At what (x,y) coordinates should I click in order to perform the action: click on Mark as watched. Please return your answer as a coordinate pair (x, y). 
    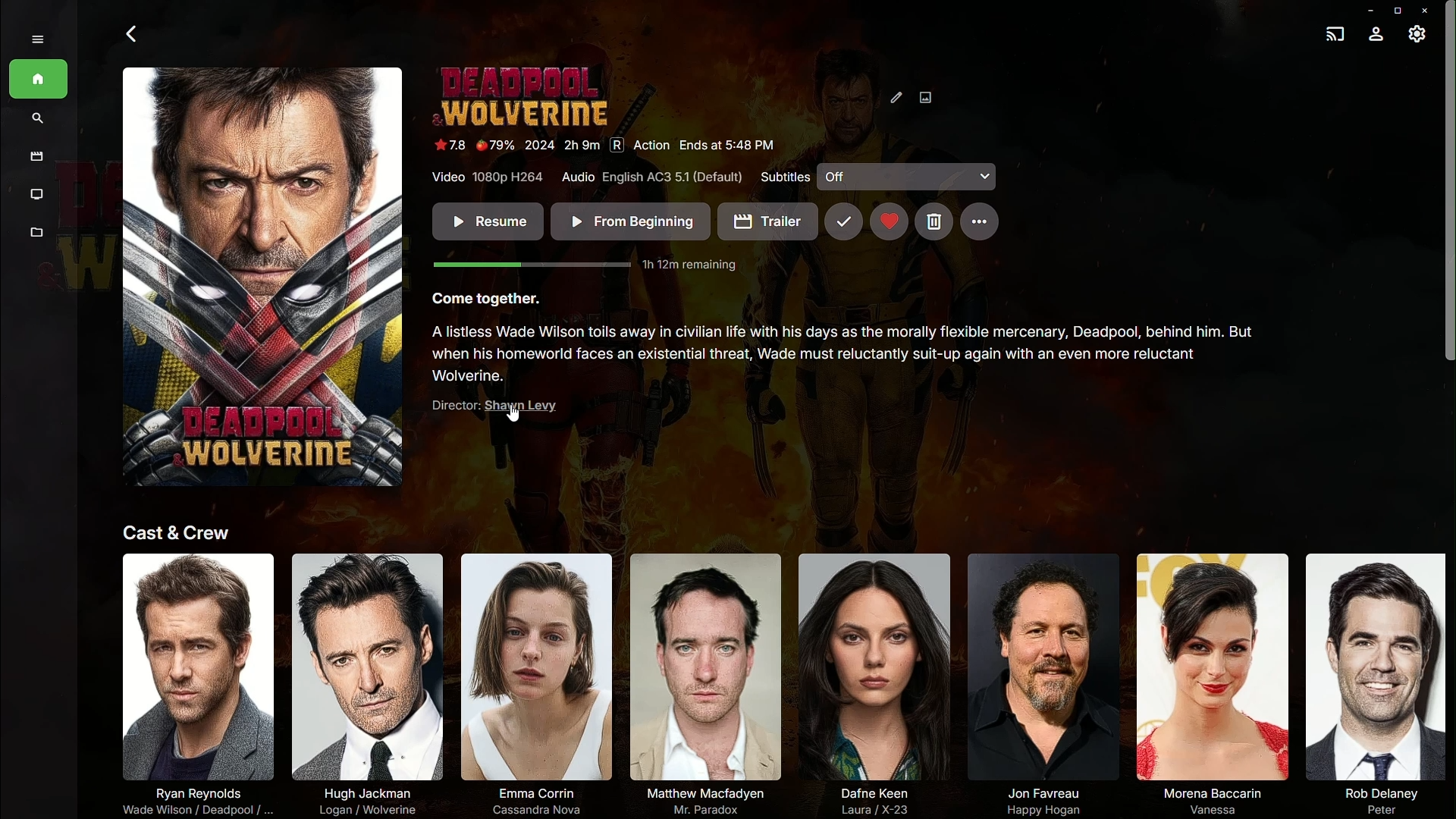
    Looking at the image, I should click on (844, 221).